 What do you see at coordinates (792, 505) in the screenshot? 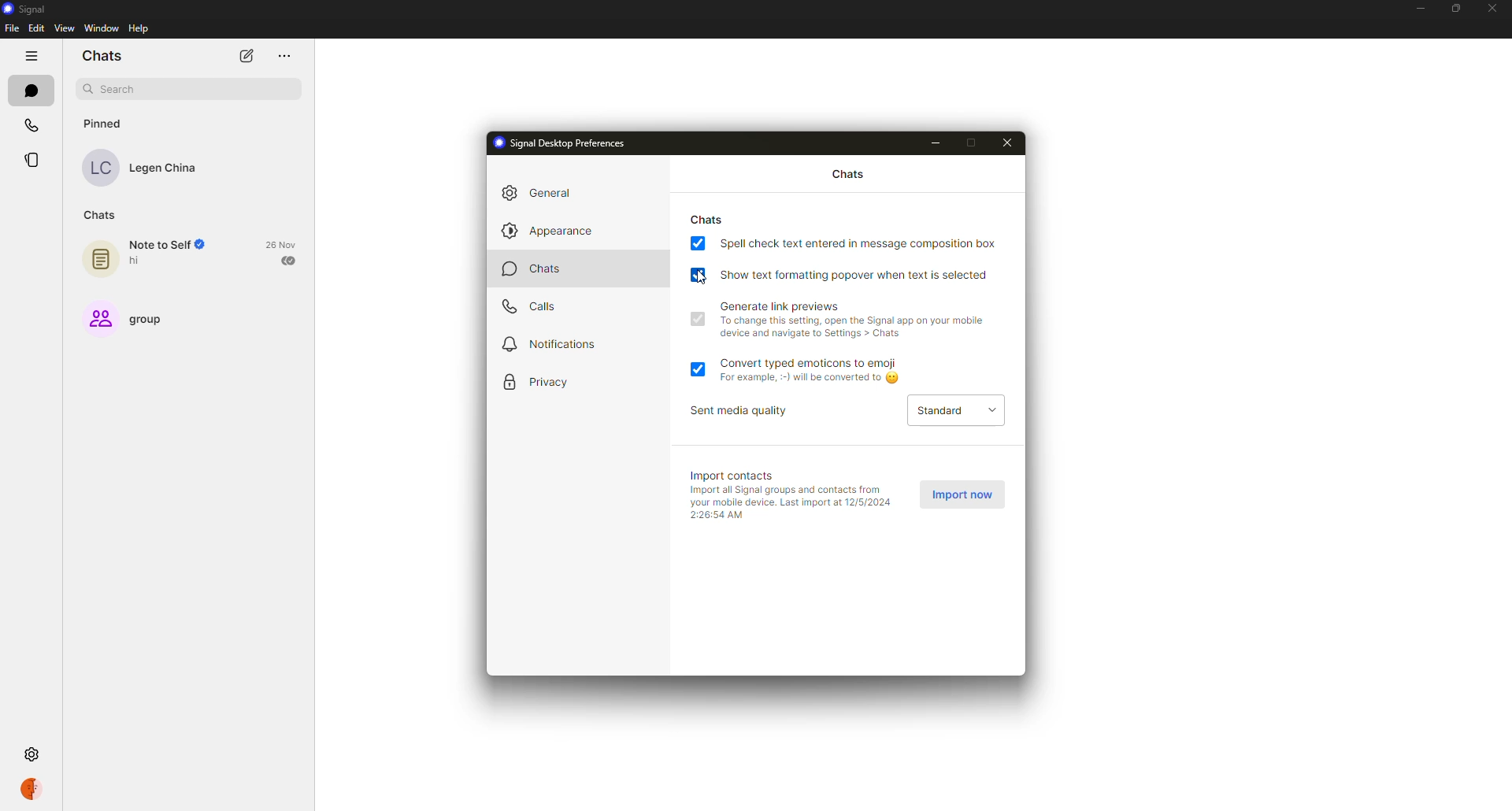
I see `Import all Signal groups and contacts from
your mobile device. Last import at 12/5/2024
2:26:54 AM` at bounding box center [792, 505].